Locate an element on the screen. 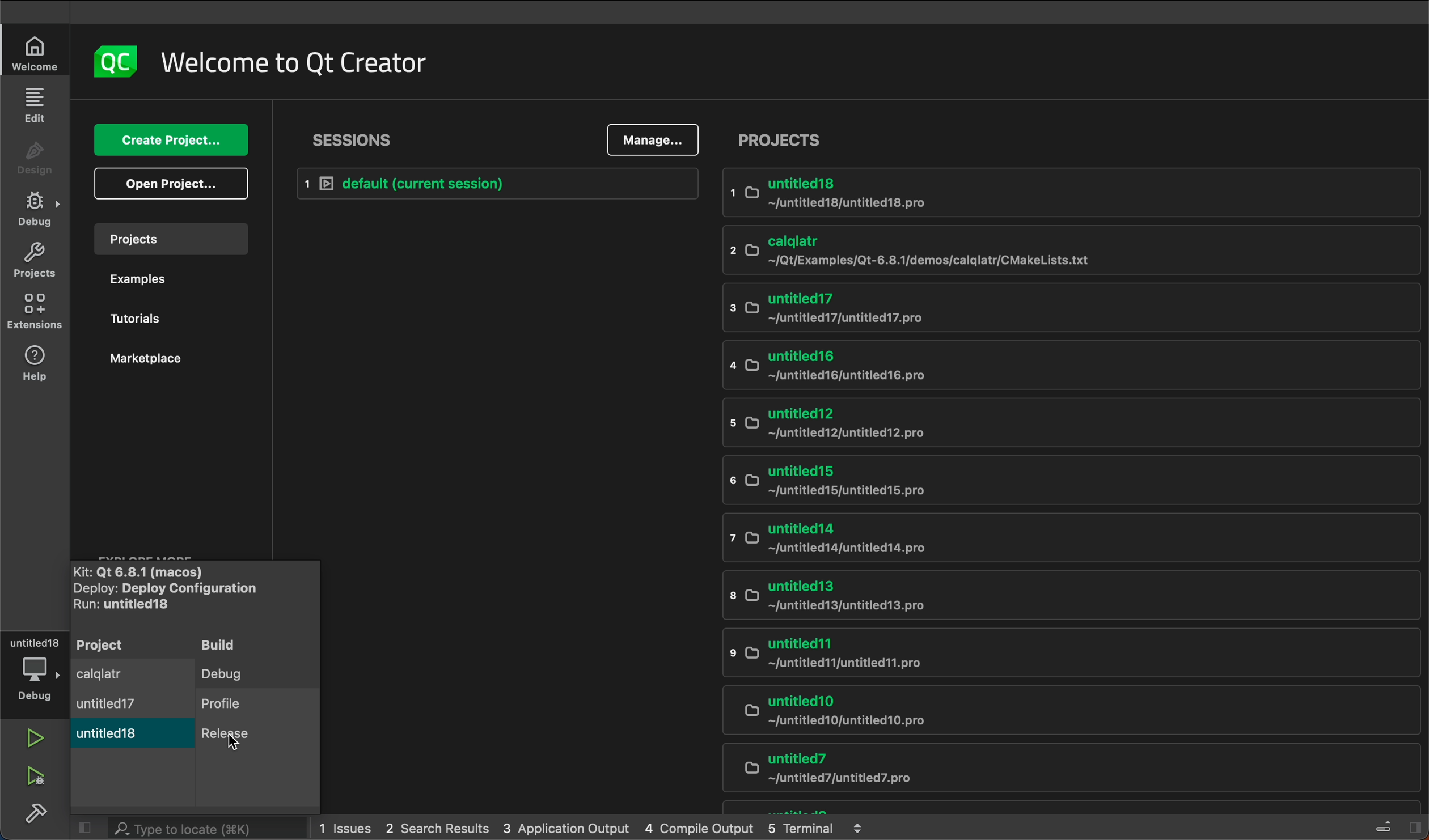 This screenshot has height=840, width=1429. search is located at coordinates (191, 826).